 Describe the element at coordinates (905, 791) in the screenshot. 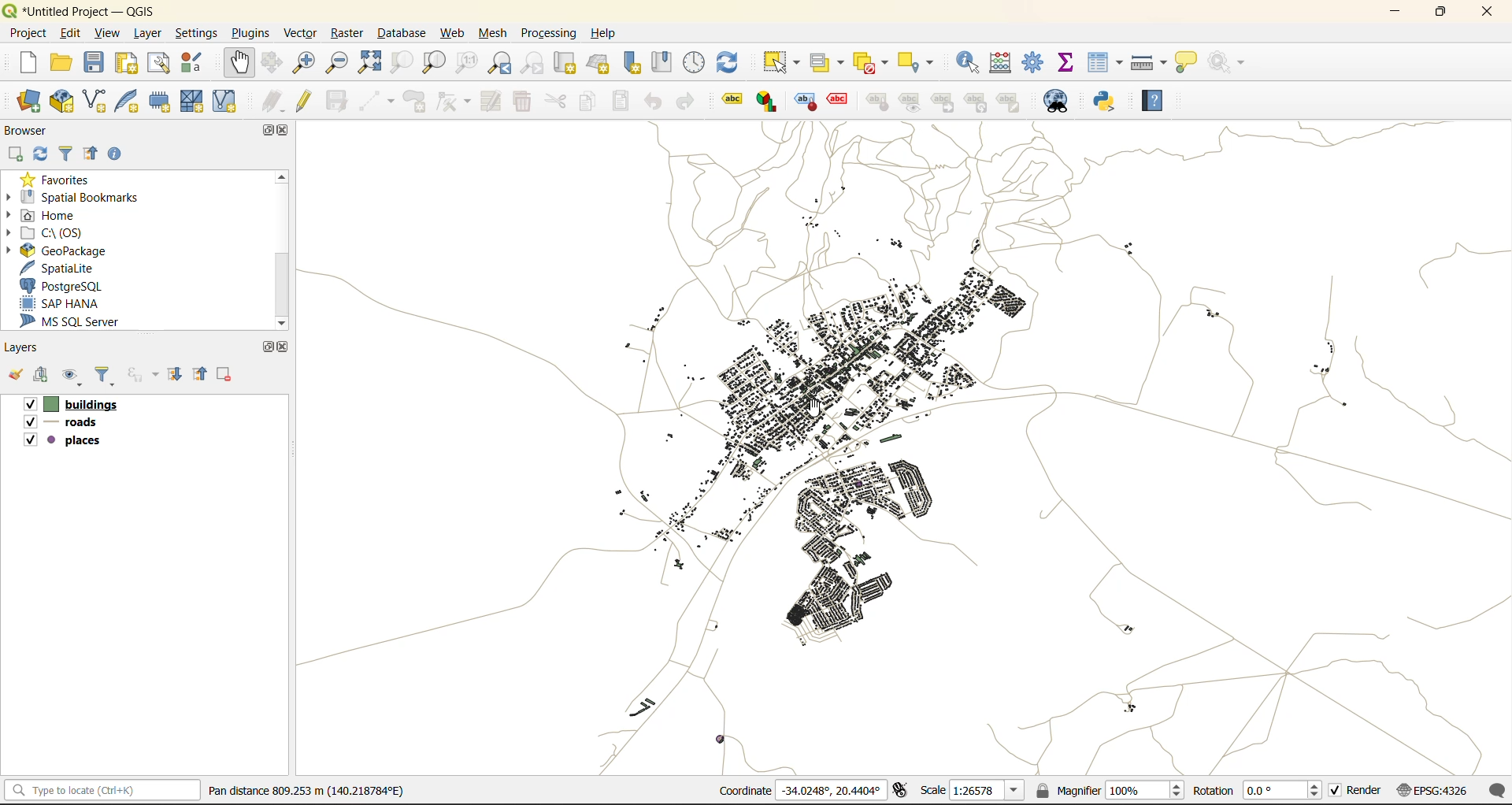

I see `toggle extensions` at that location.